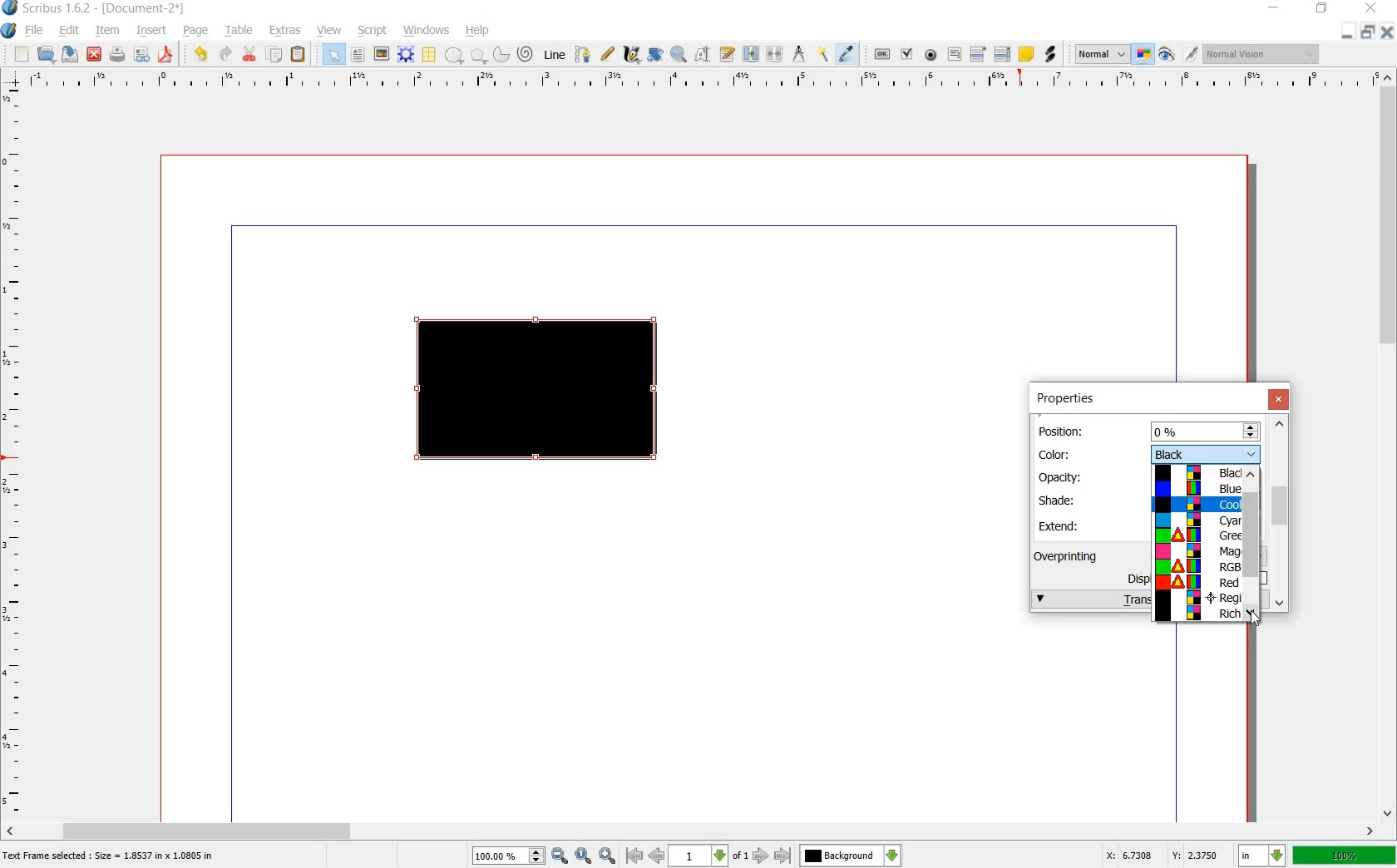 Image resolution: width=1397 pixels, height=868 pixels. I want to click on measurement, so click(800, 53).